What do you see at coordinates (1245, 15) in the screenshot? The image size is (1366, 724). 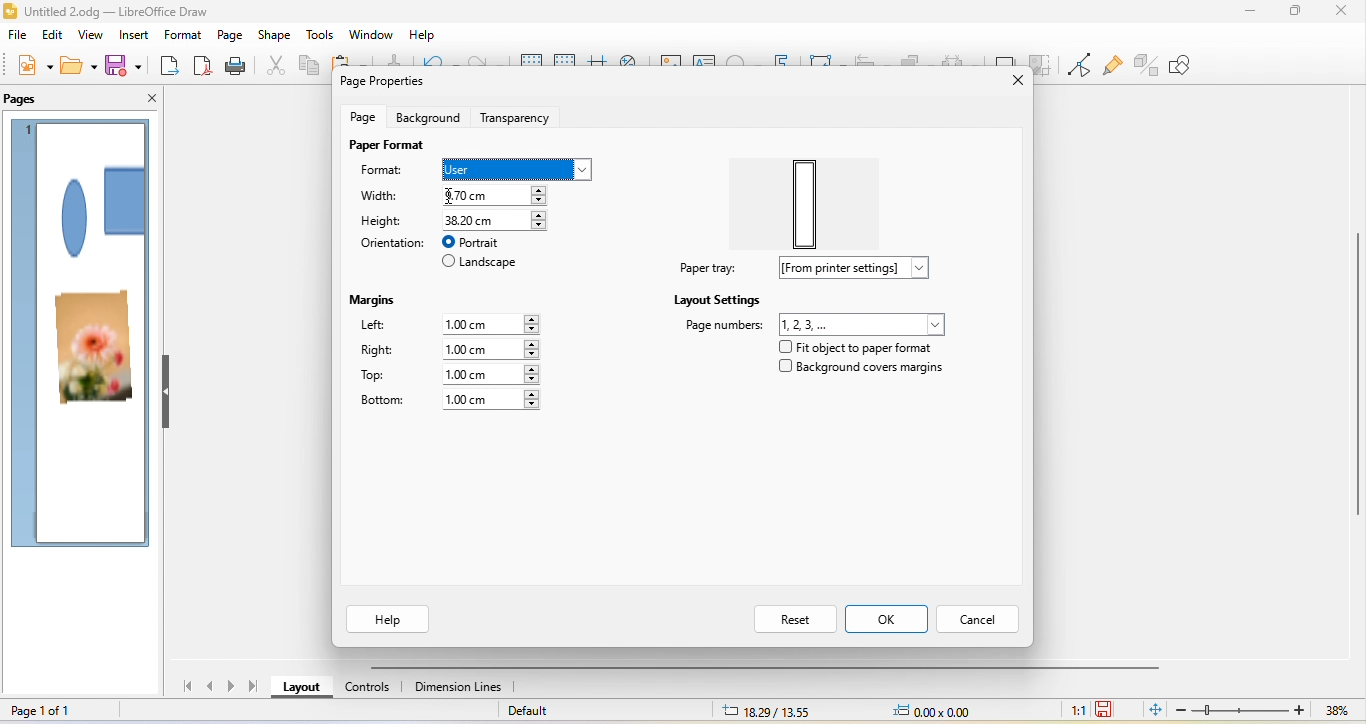 I see `minimize` at bounding box center [1245, 15].